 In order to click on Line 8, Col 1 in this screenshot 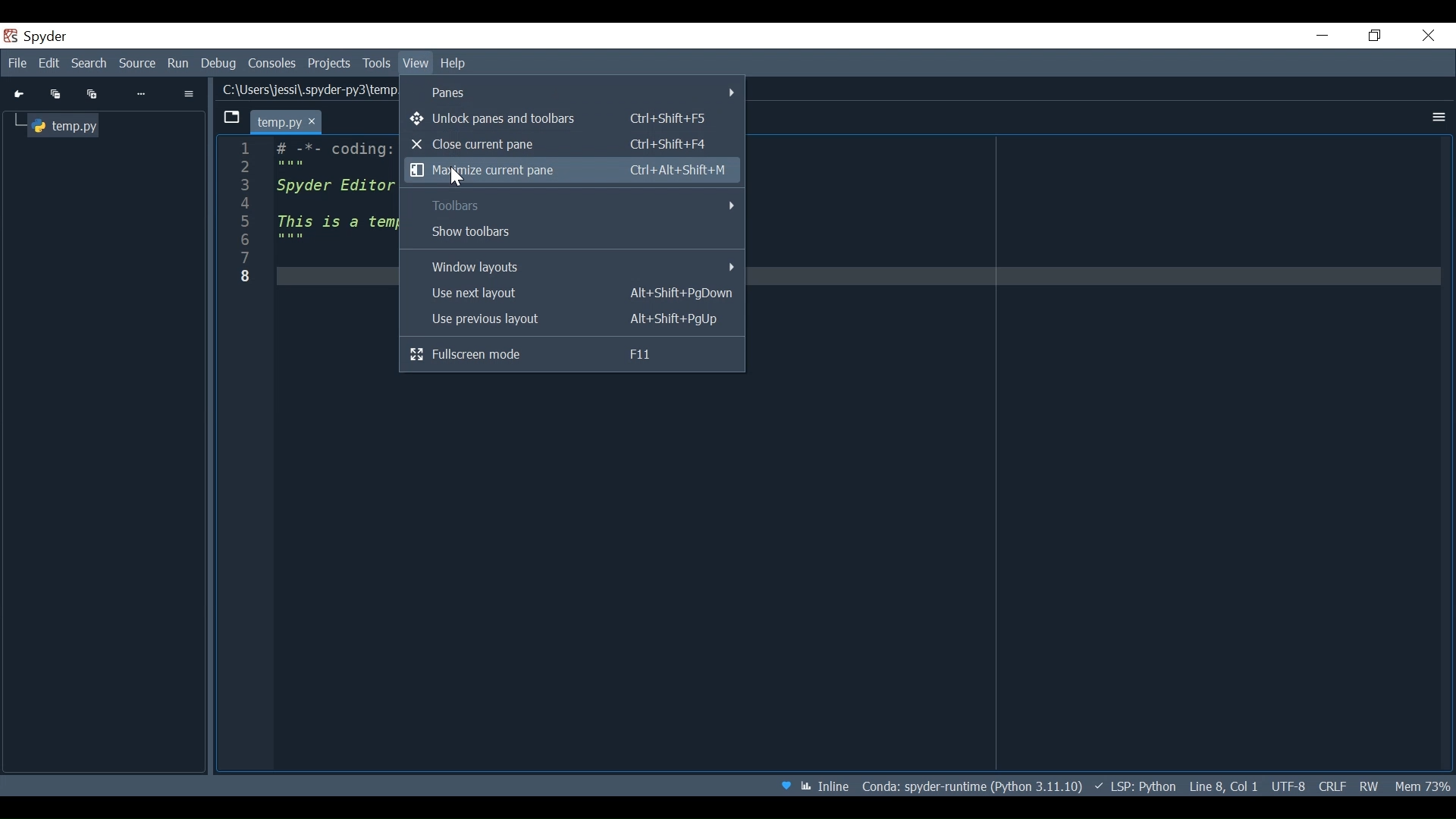, I will do `click(1225, 785)`.